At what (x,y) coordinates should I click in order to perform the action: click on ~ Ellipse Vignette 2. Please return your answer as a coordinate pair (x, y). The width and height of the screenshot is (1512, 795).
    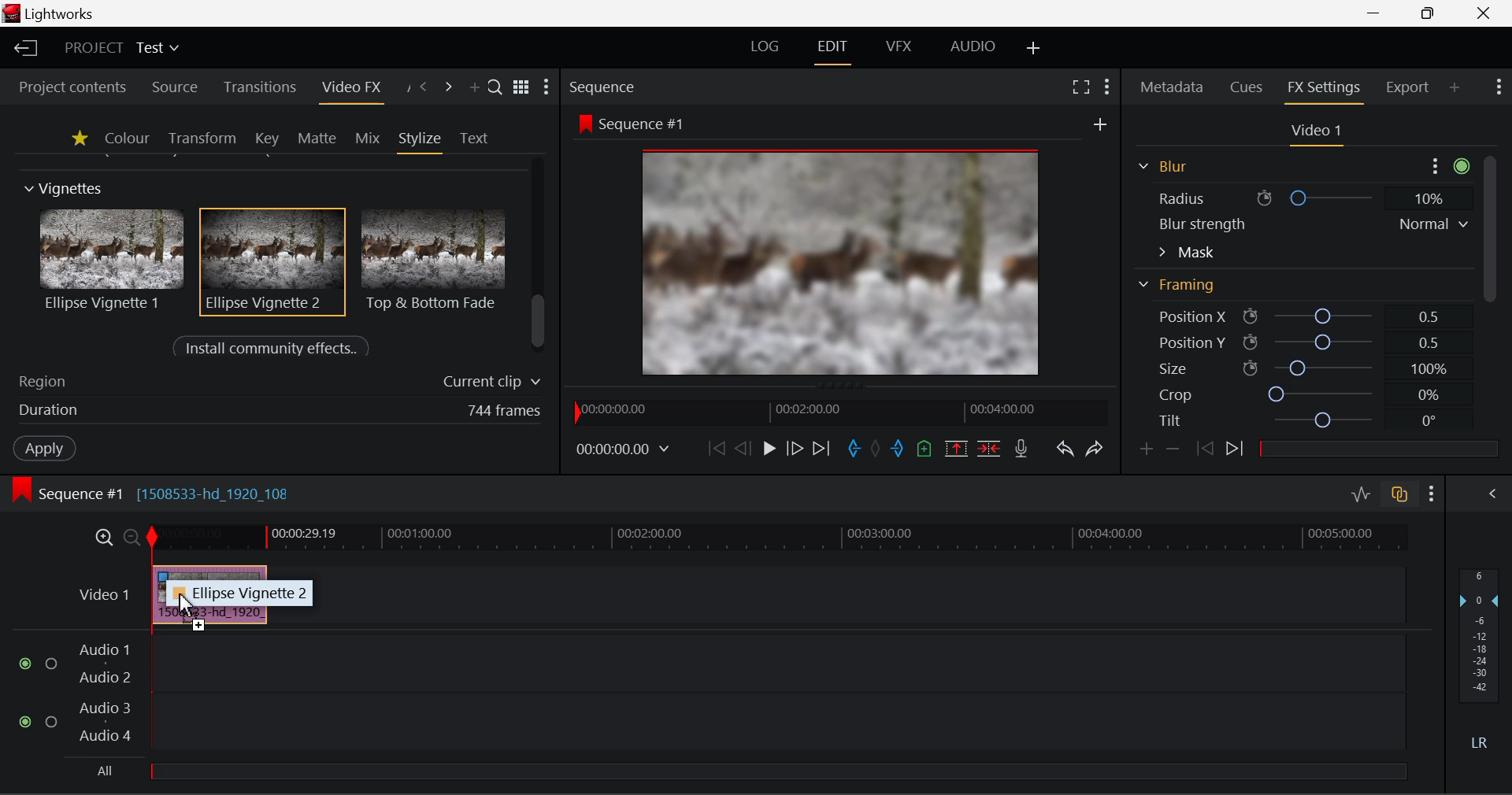
    Looking at the image, I should click on (241, 593).